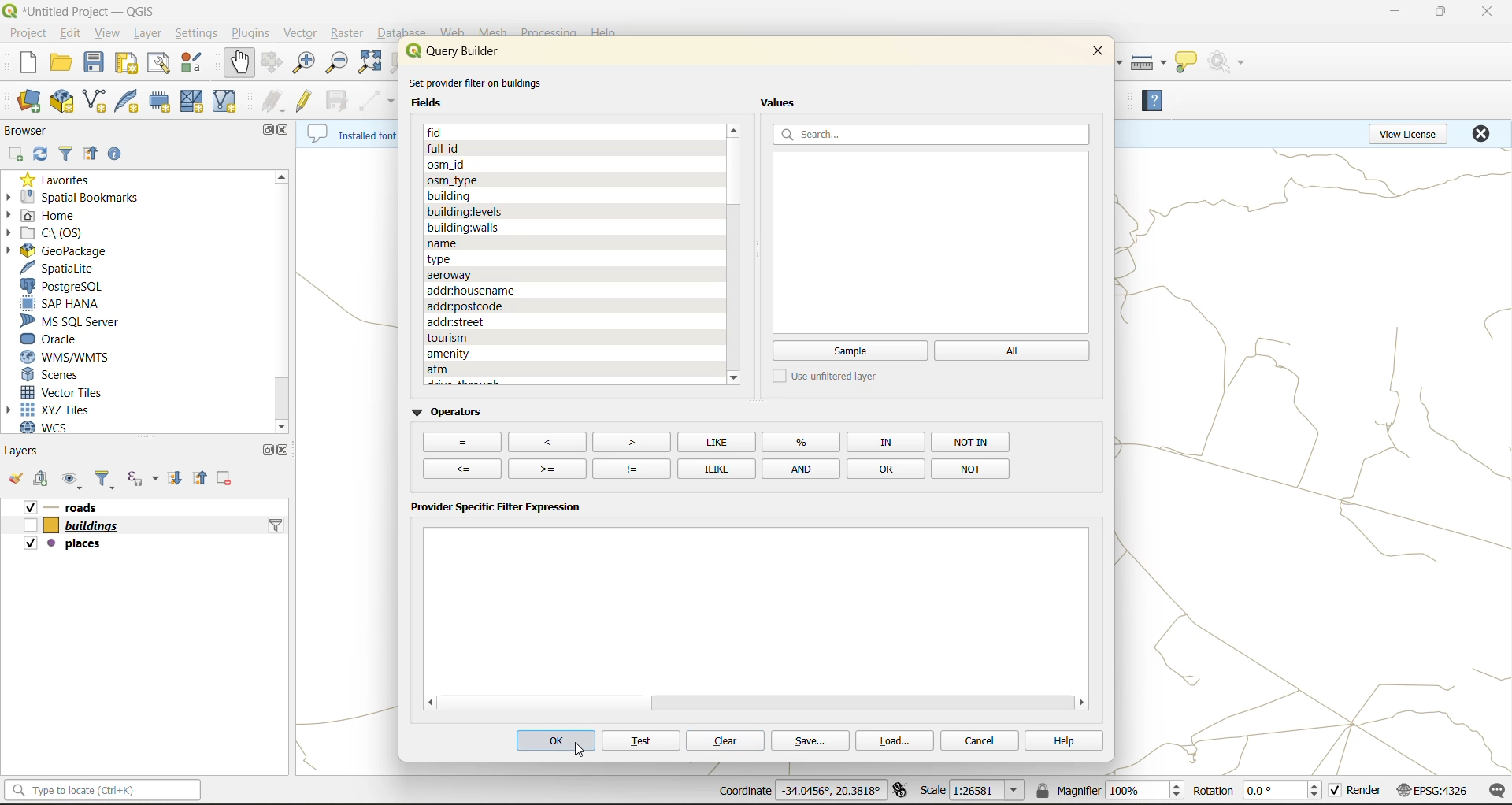 The height and width of the screenshot is (805, 1512). I want to click on metadata, so click(349, 135).